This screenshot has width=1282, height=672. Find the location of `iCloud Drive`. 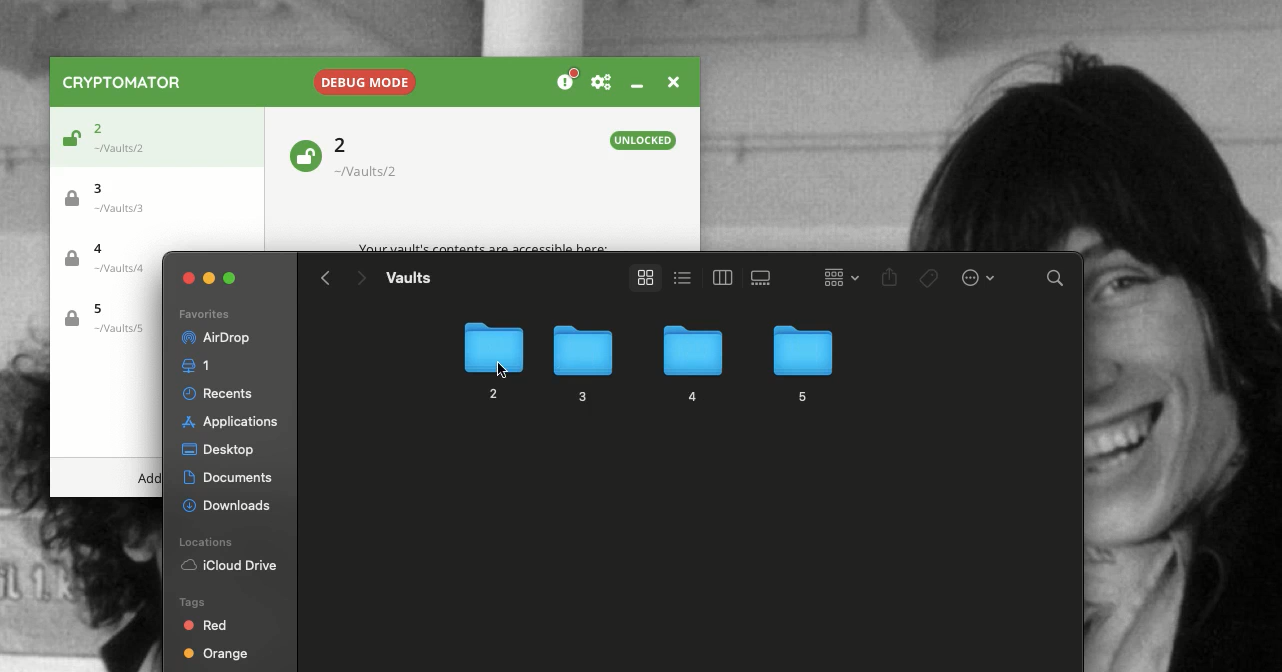

iCloud Drive is located at coordinates (229, 567).